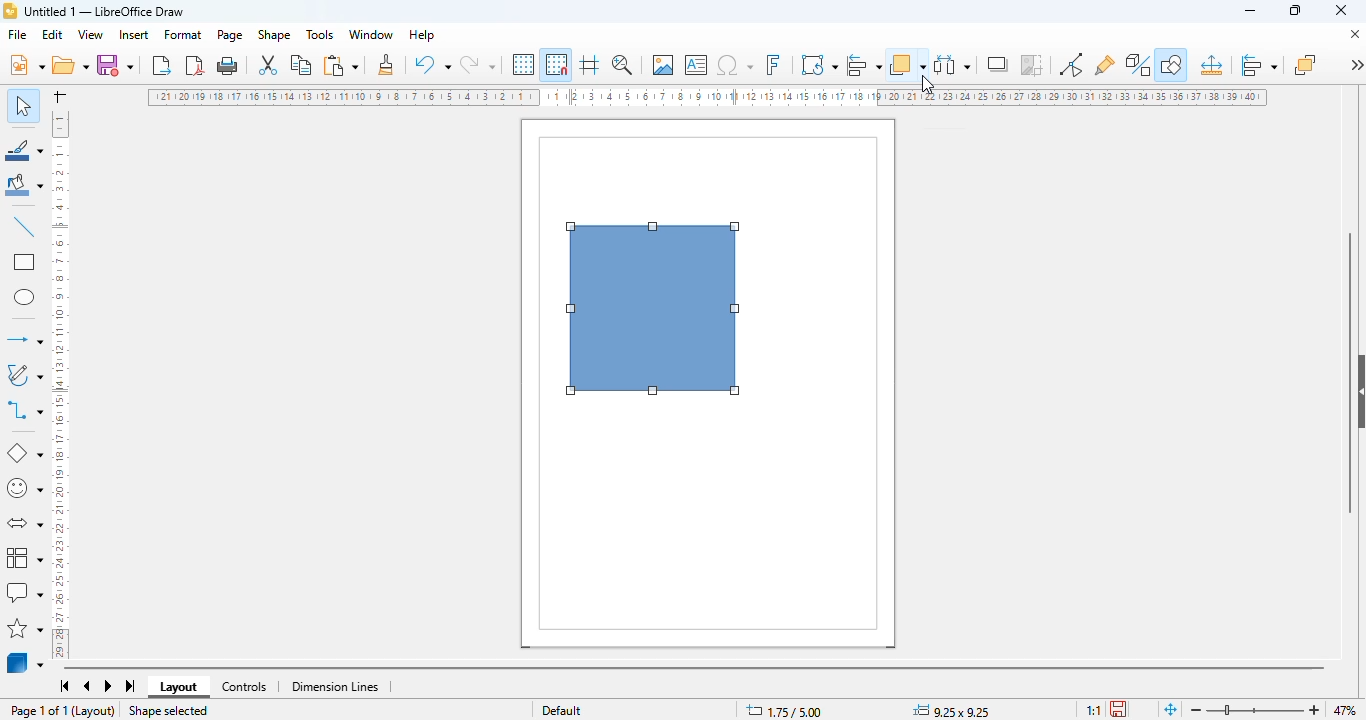 The height and width of the screenshot is (720, 1366). I want to click on align objects, so click(1259, 65).